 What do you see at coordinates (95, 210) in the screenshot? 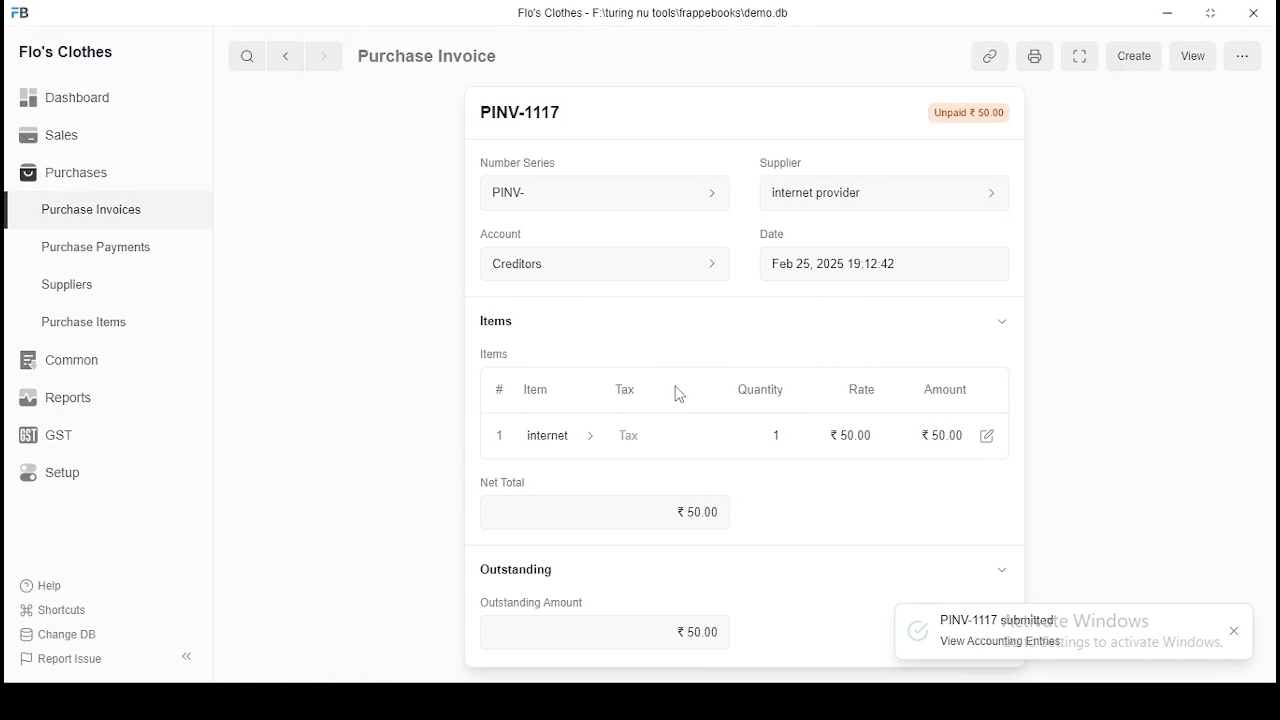
I see `Purchase Invoices` at bounding box center [95, 210].